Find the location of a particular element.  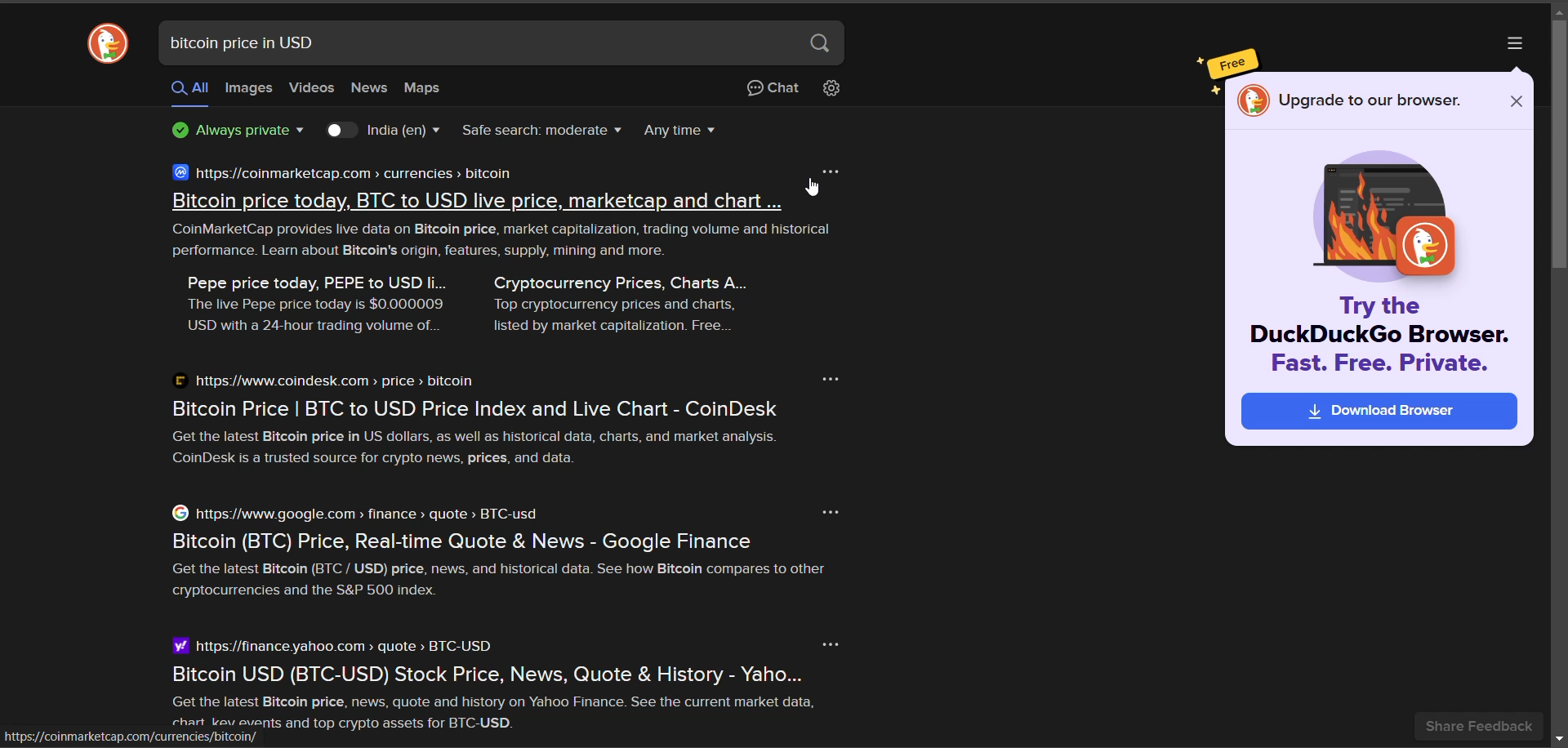

more option is located at coordinates (837, 514).